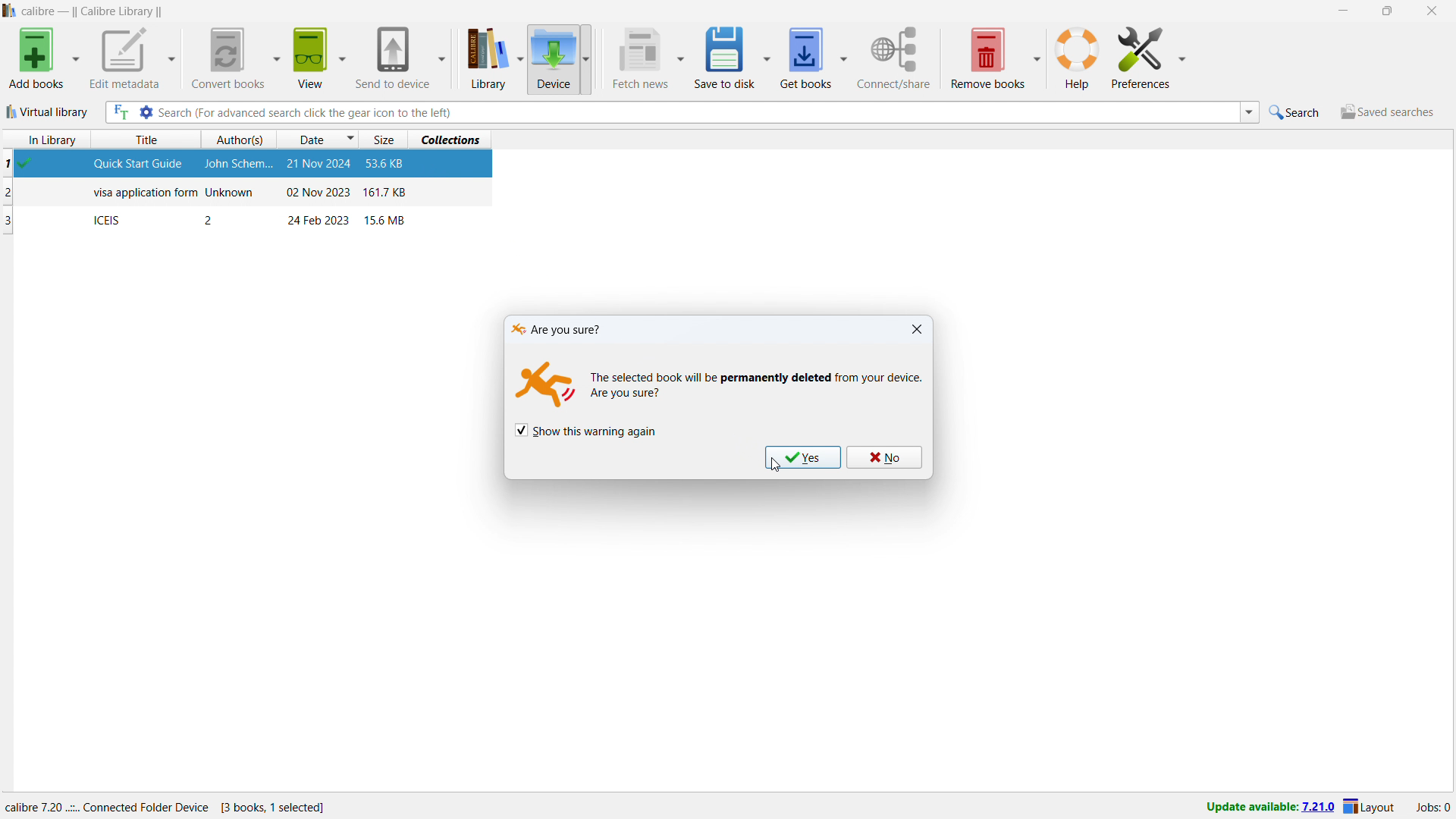 Image resolution: width=1456 pixels, height=819 pixels. I want to click on message about permanent deletion of selected book from device, so click(758, 384).